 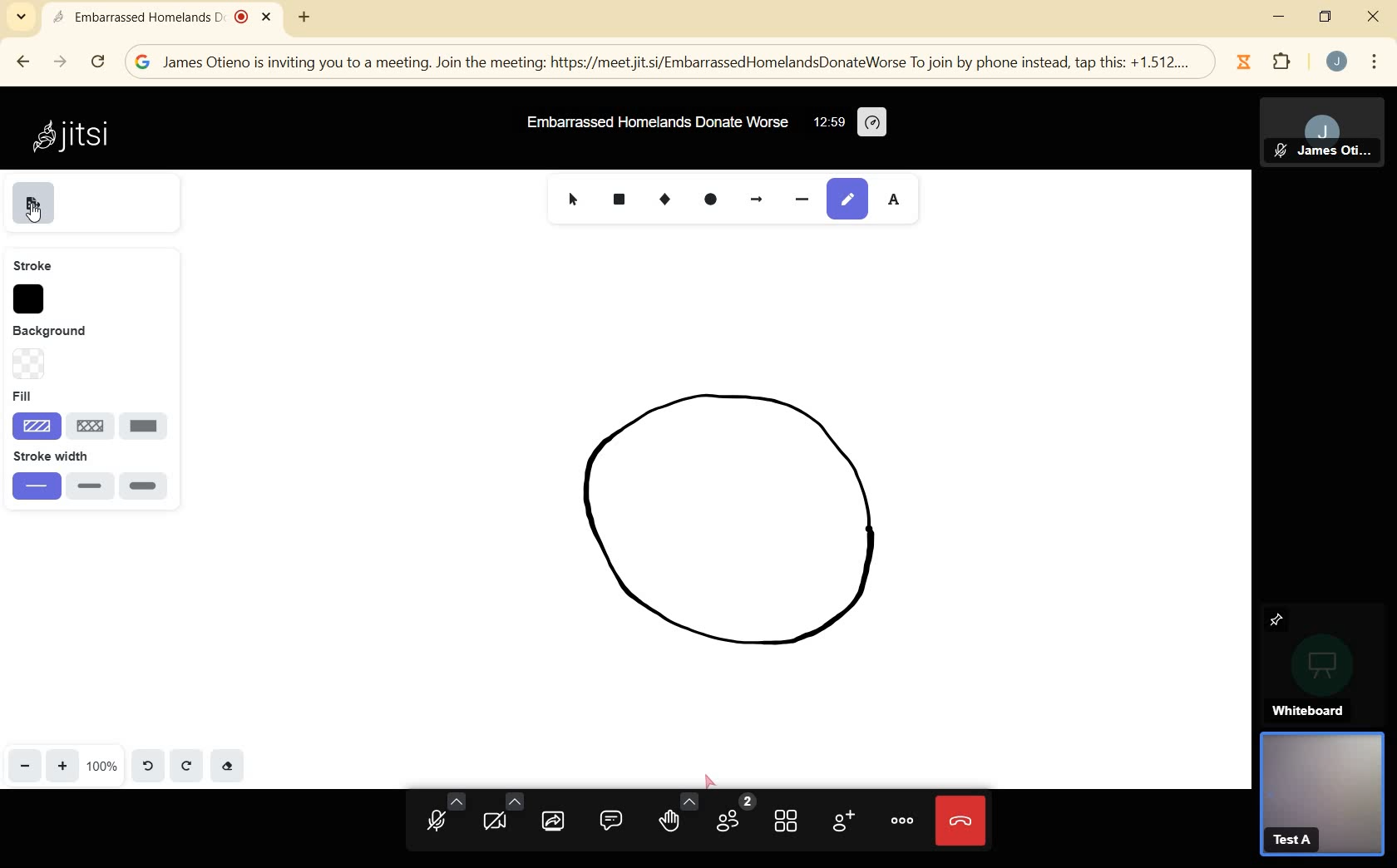 I want to click on zoom in, so click(x=63, y=767).